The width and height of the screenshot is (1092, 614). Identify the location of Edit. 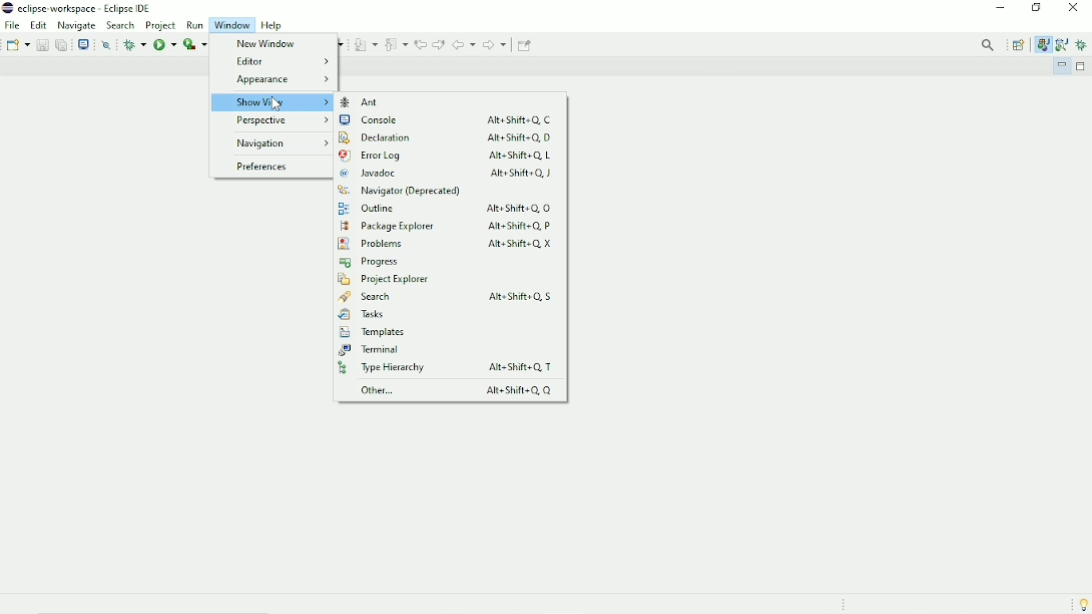
(39, 24).